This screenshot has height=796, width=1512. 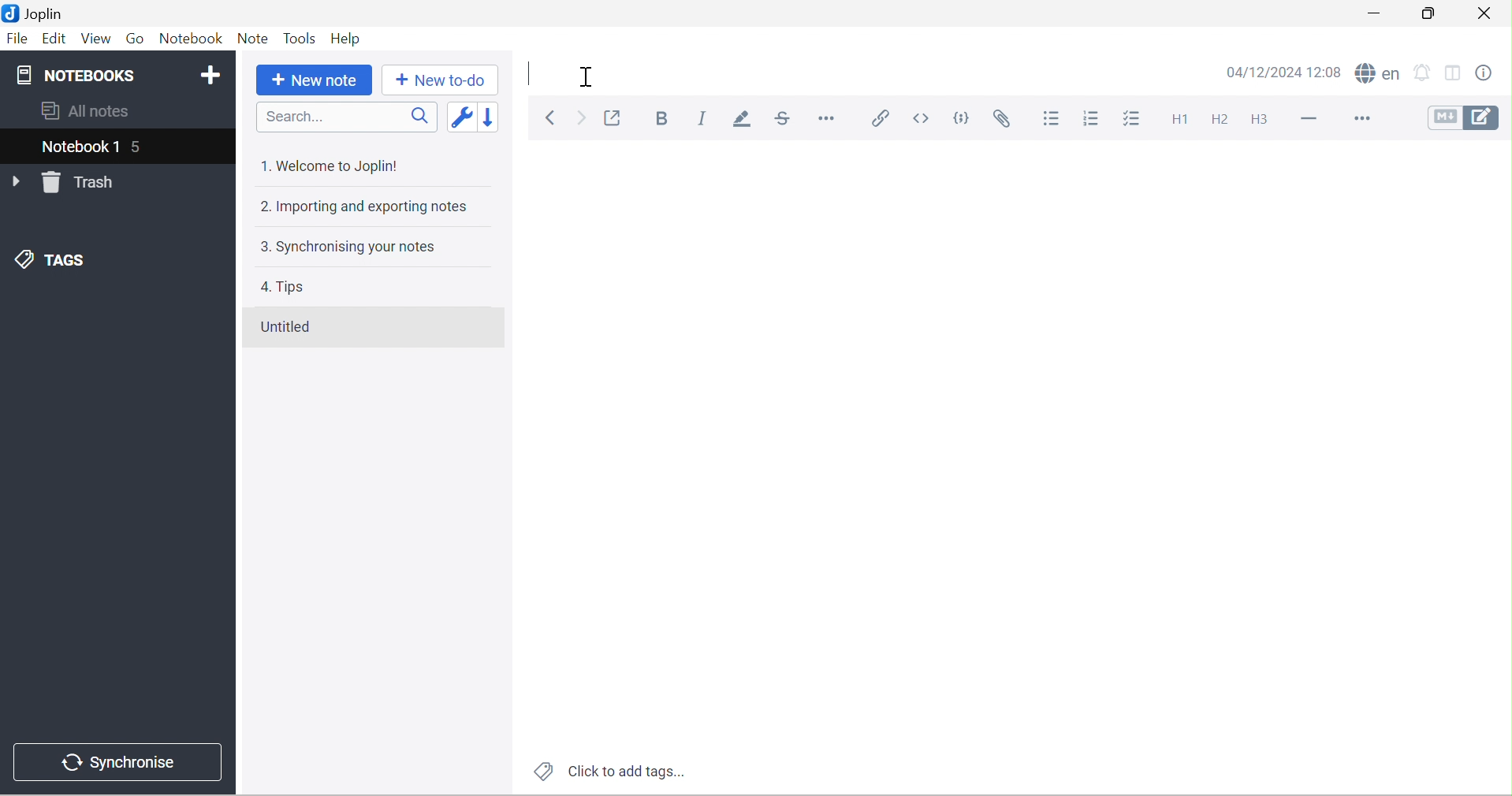 I want to click on TAGS, so click(x=54, y=259).